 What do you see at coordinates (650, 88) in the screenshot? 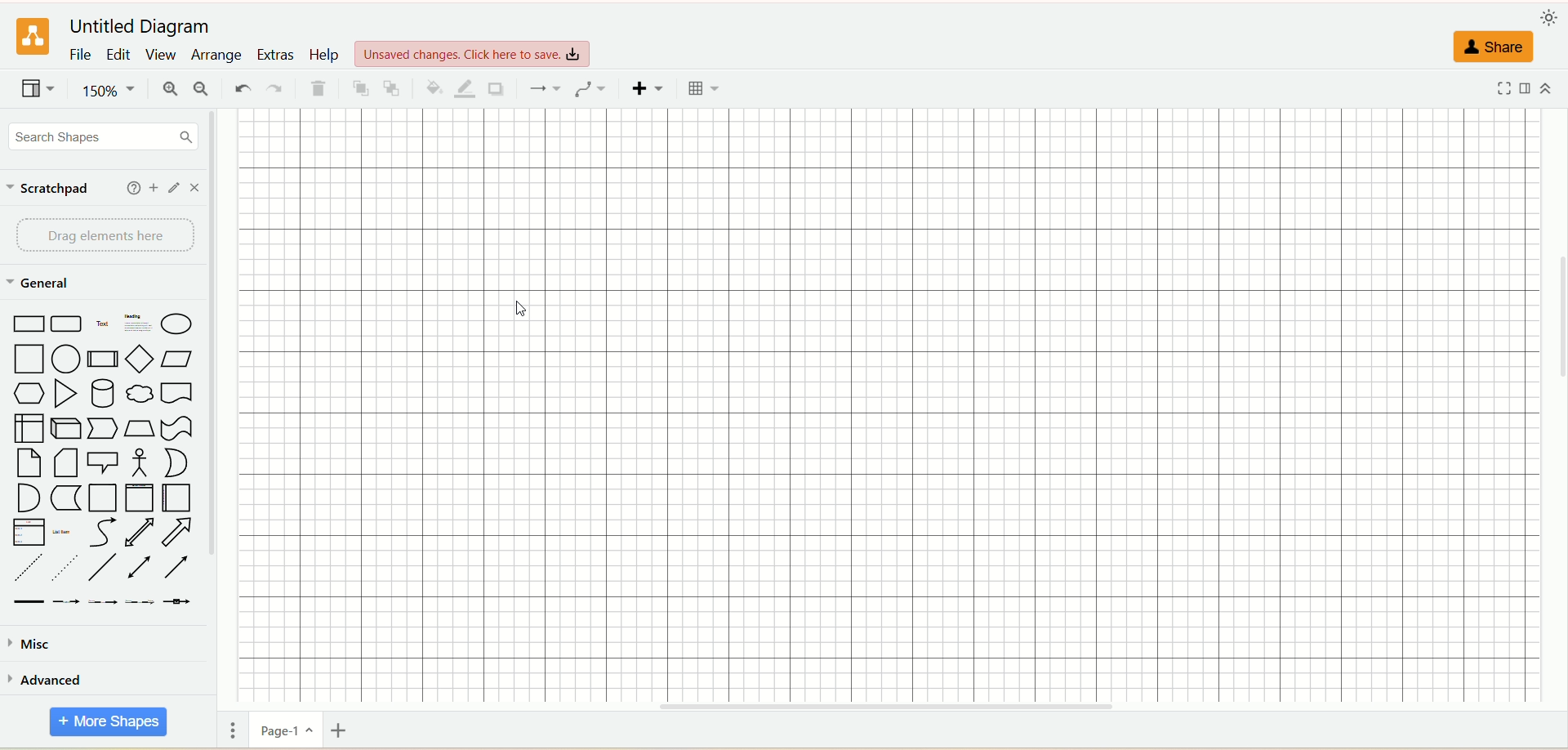
I see `insert` at bounding box center [650, 88].